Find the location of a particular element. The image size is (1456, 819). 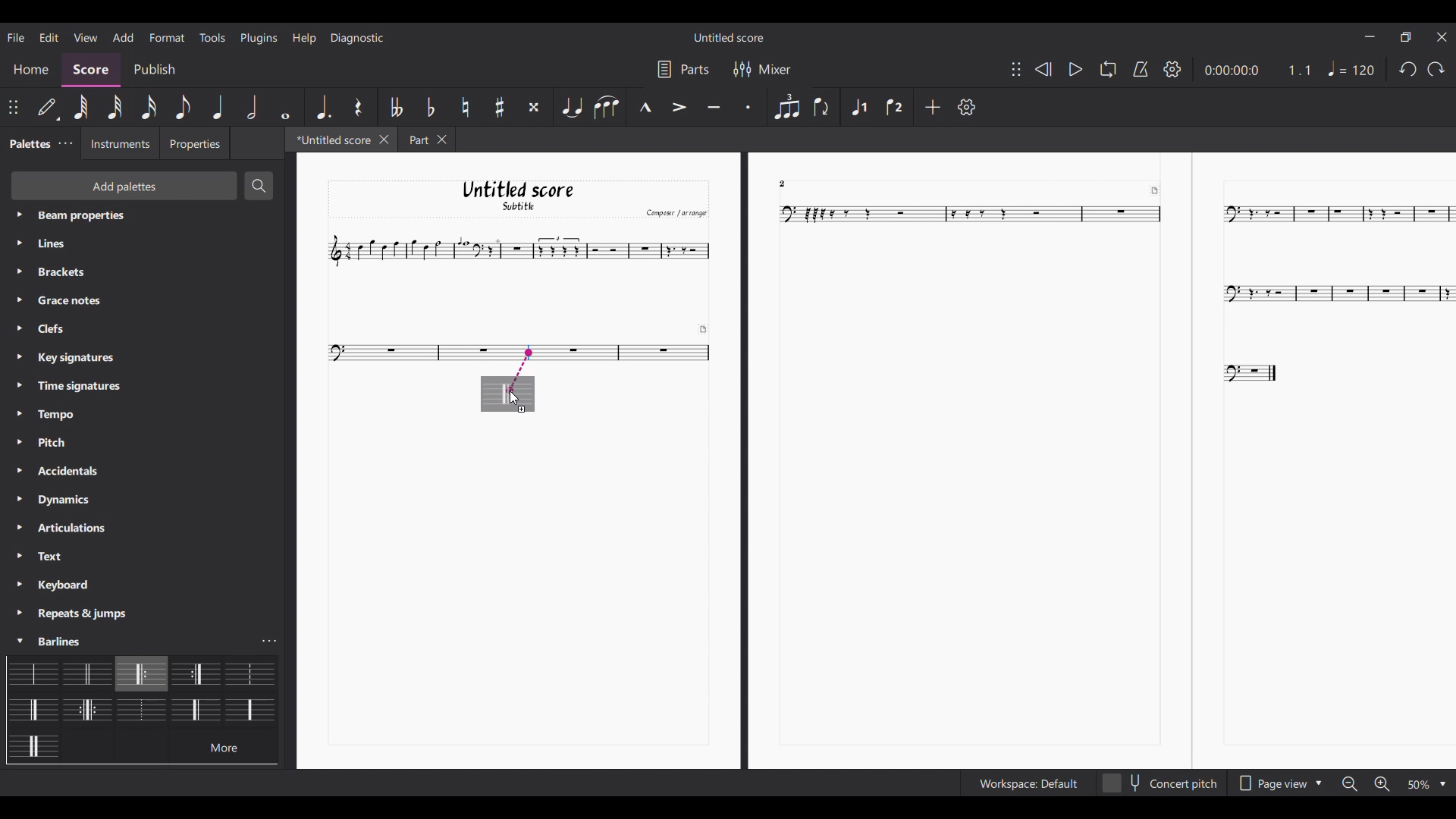

Search is located at coordinates (259, 185).